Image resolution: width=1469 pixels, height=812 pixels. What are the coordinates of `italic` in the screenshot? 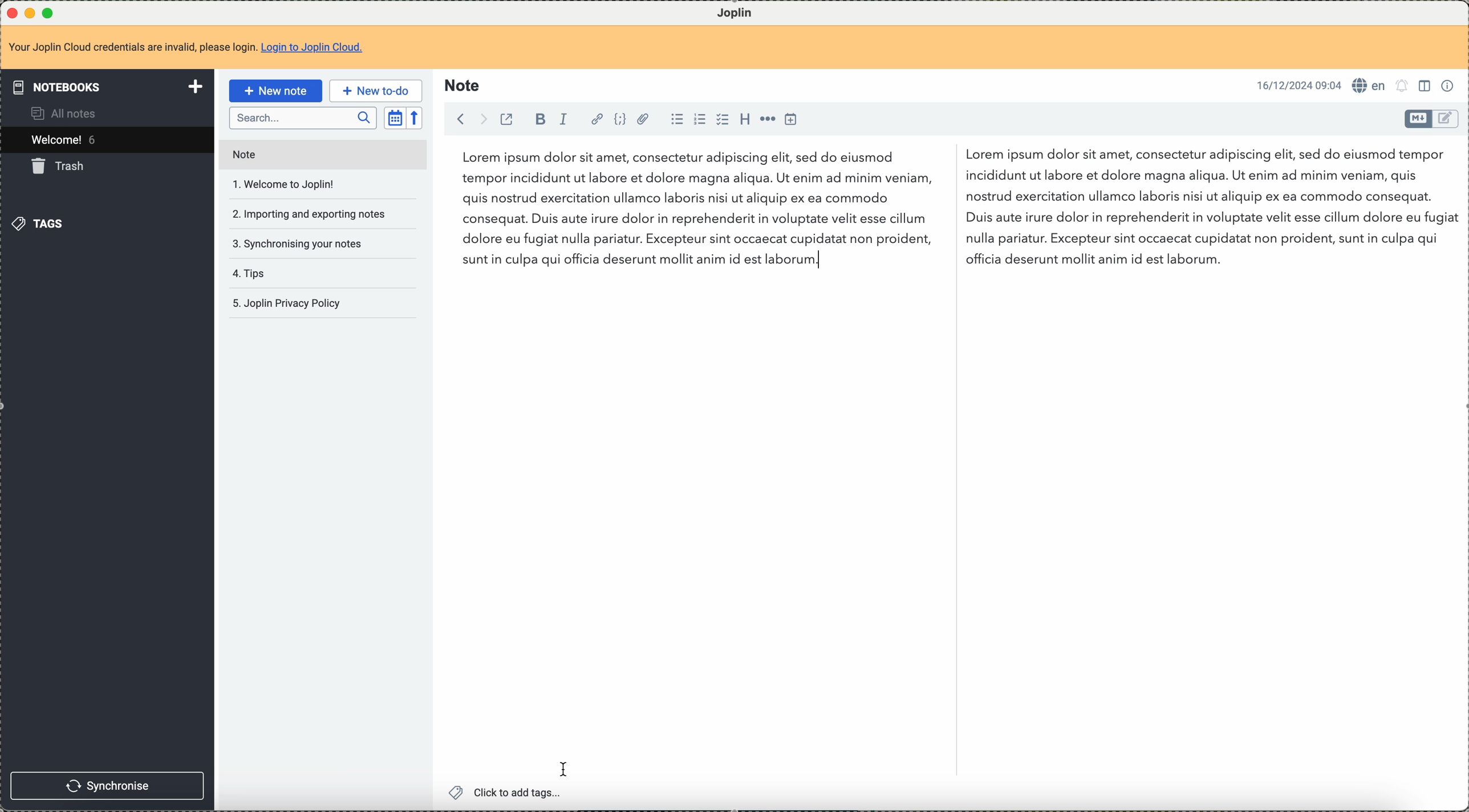 It's located at (565, 119).